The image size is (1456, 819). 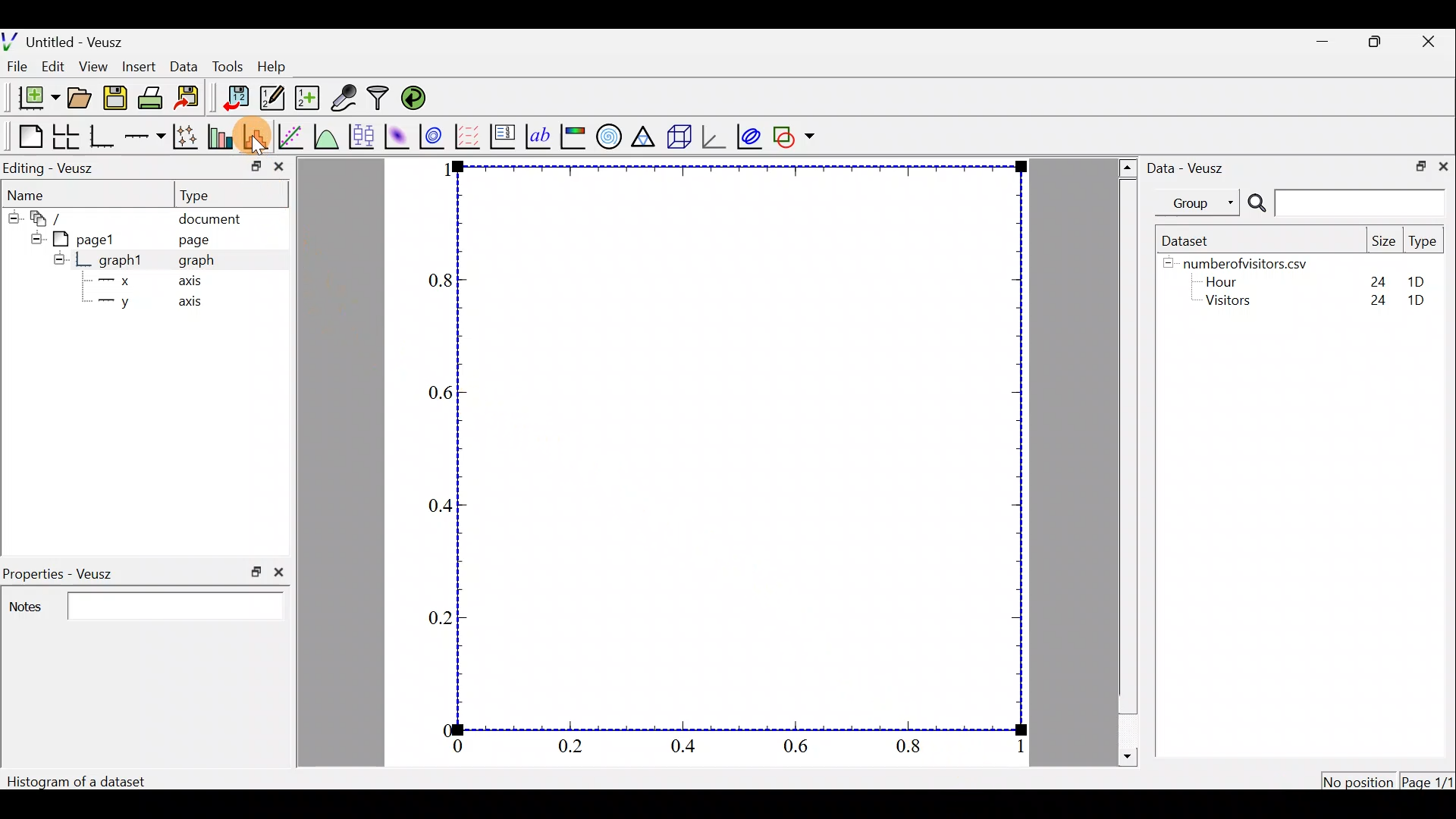 I want to click on page, so click(x=196, y=240).